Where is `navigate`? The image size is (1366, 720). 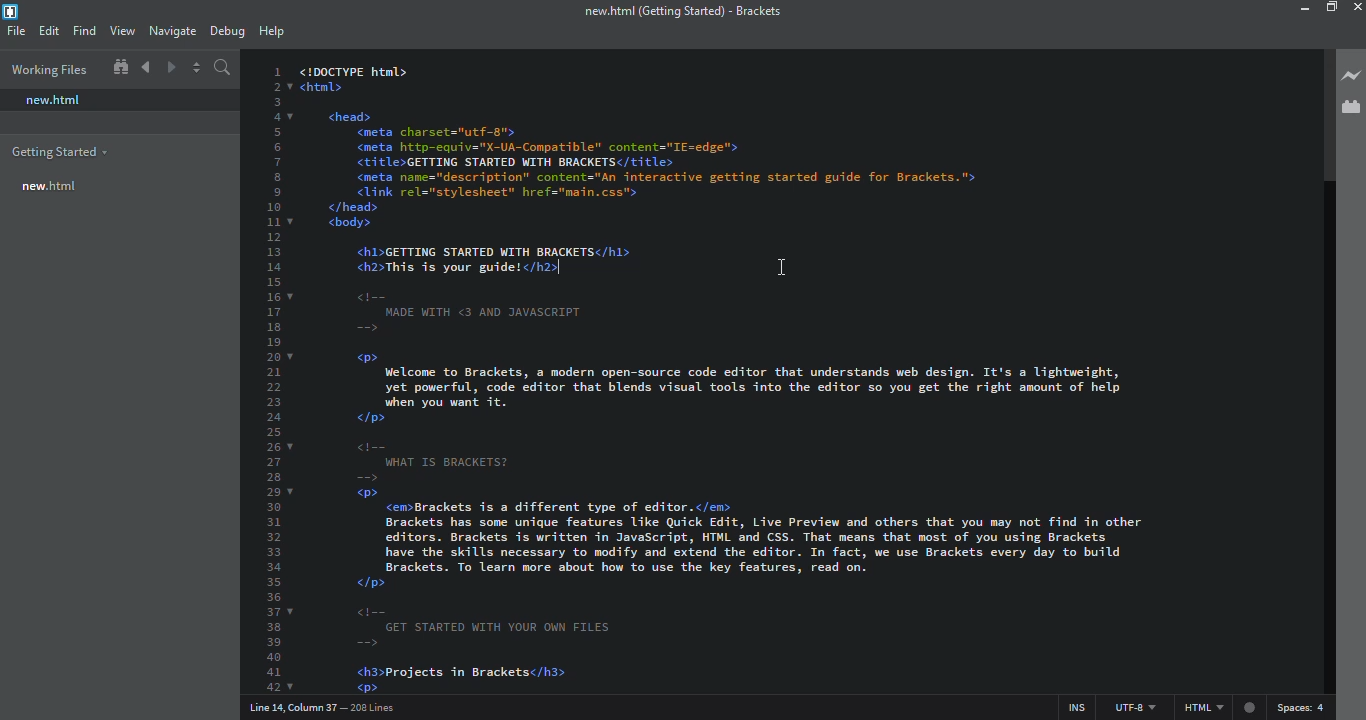
navigate is located at coordinates (176, 31).